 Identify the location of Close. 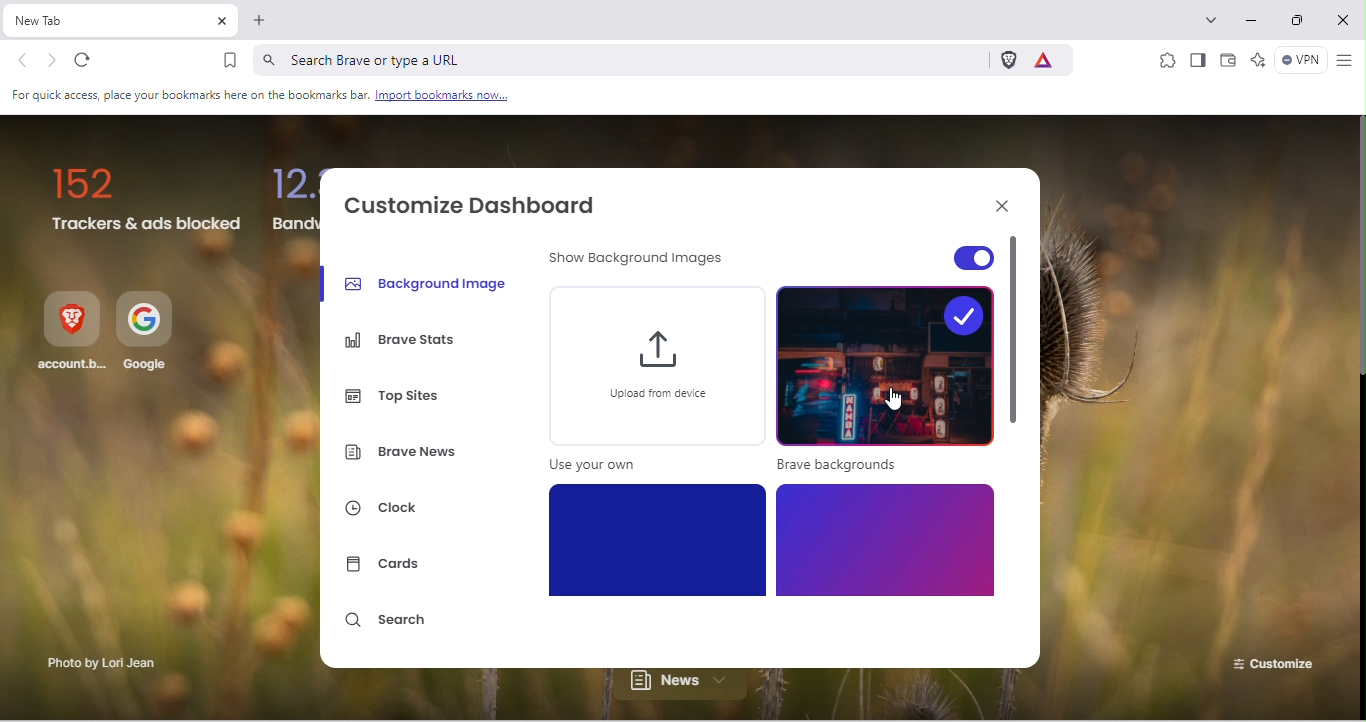
(1345, 20).